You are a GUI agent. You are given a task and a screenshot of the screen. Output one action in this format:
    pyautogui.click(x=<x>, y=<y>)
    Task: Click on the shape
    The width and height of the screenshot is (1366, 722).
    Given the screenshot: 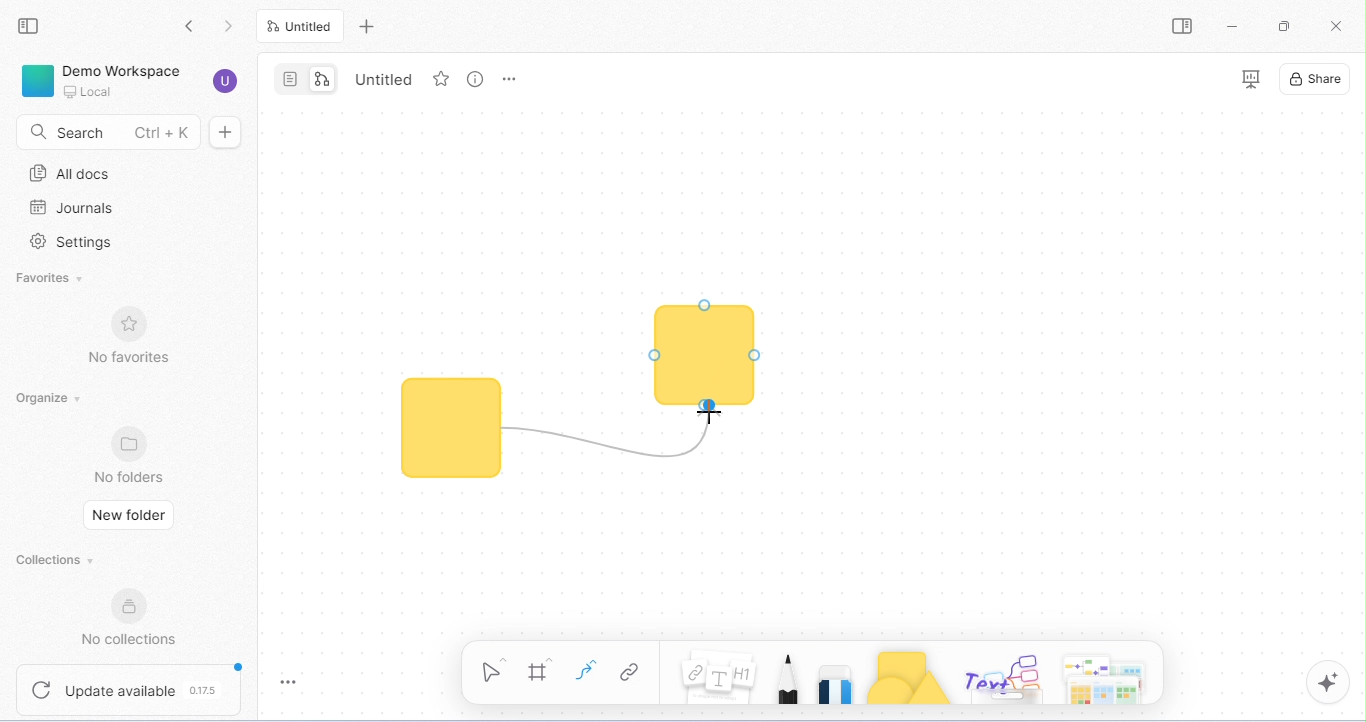 What is the action you would take?
    pyautogui.click(x=448, y=428)
    